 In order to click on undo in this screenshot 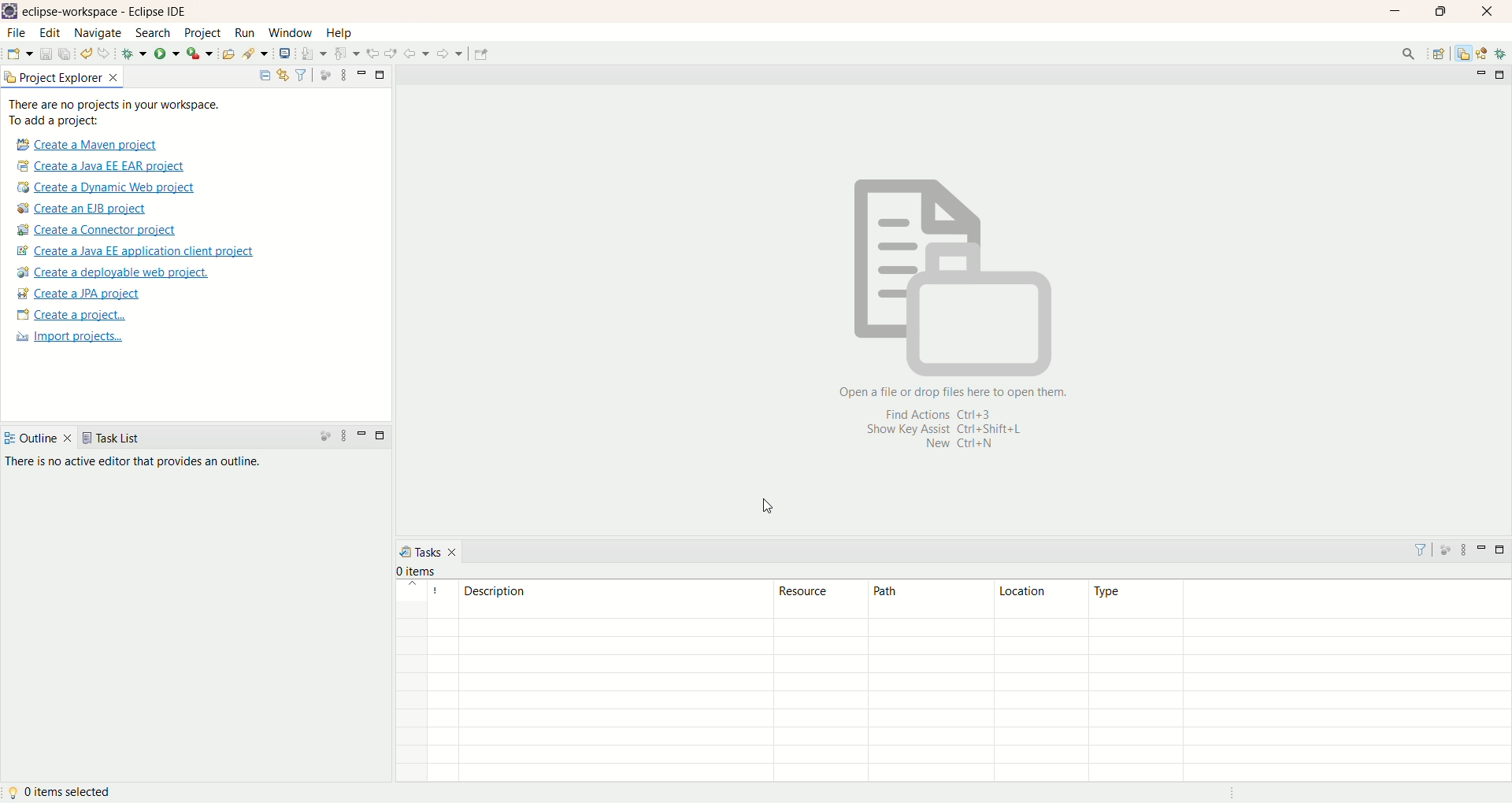, I will do `click(86, 52)`.